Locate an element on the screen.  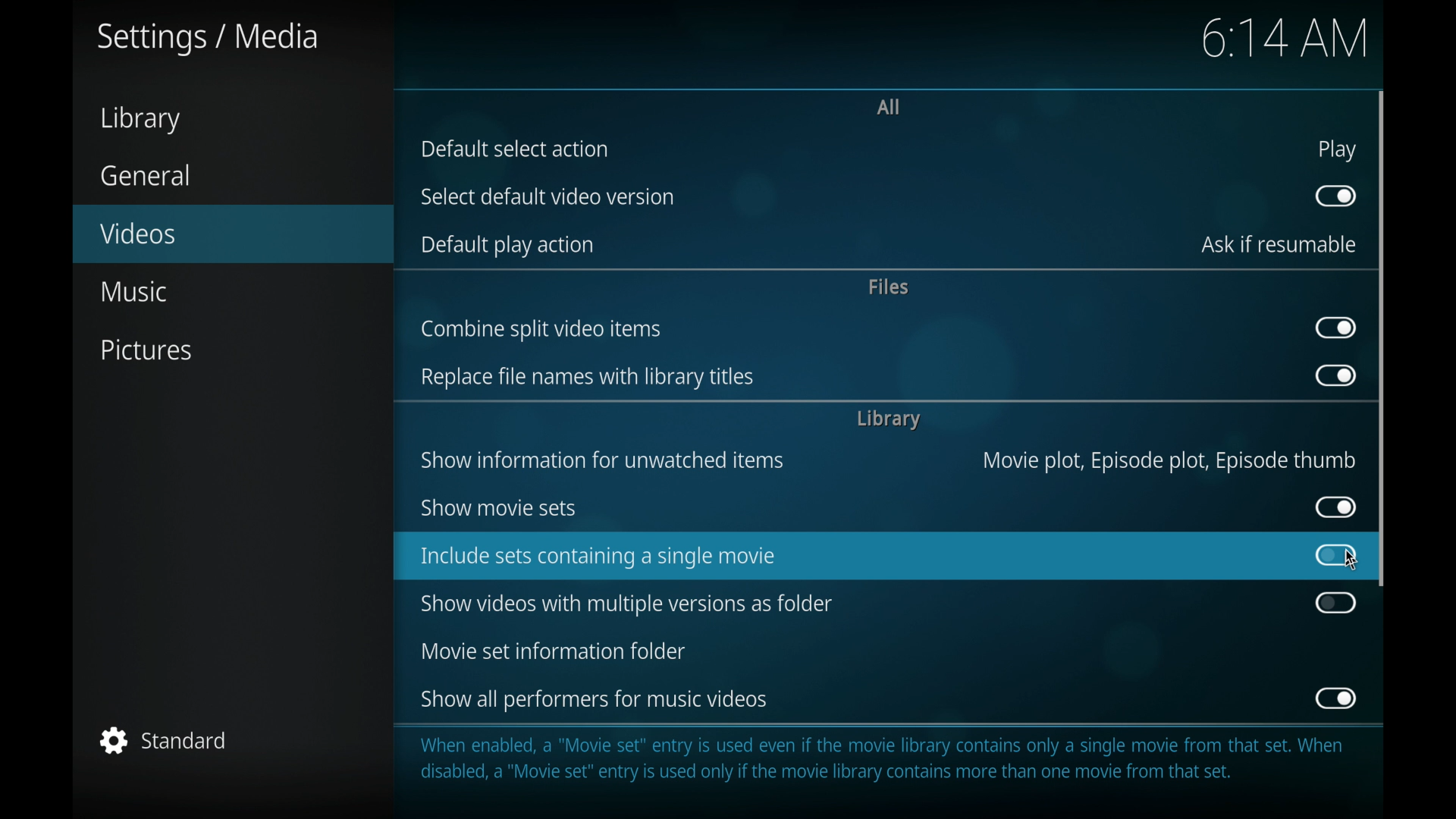
default play action is located at coordinates (509, 245).